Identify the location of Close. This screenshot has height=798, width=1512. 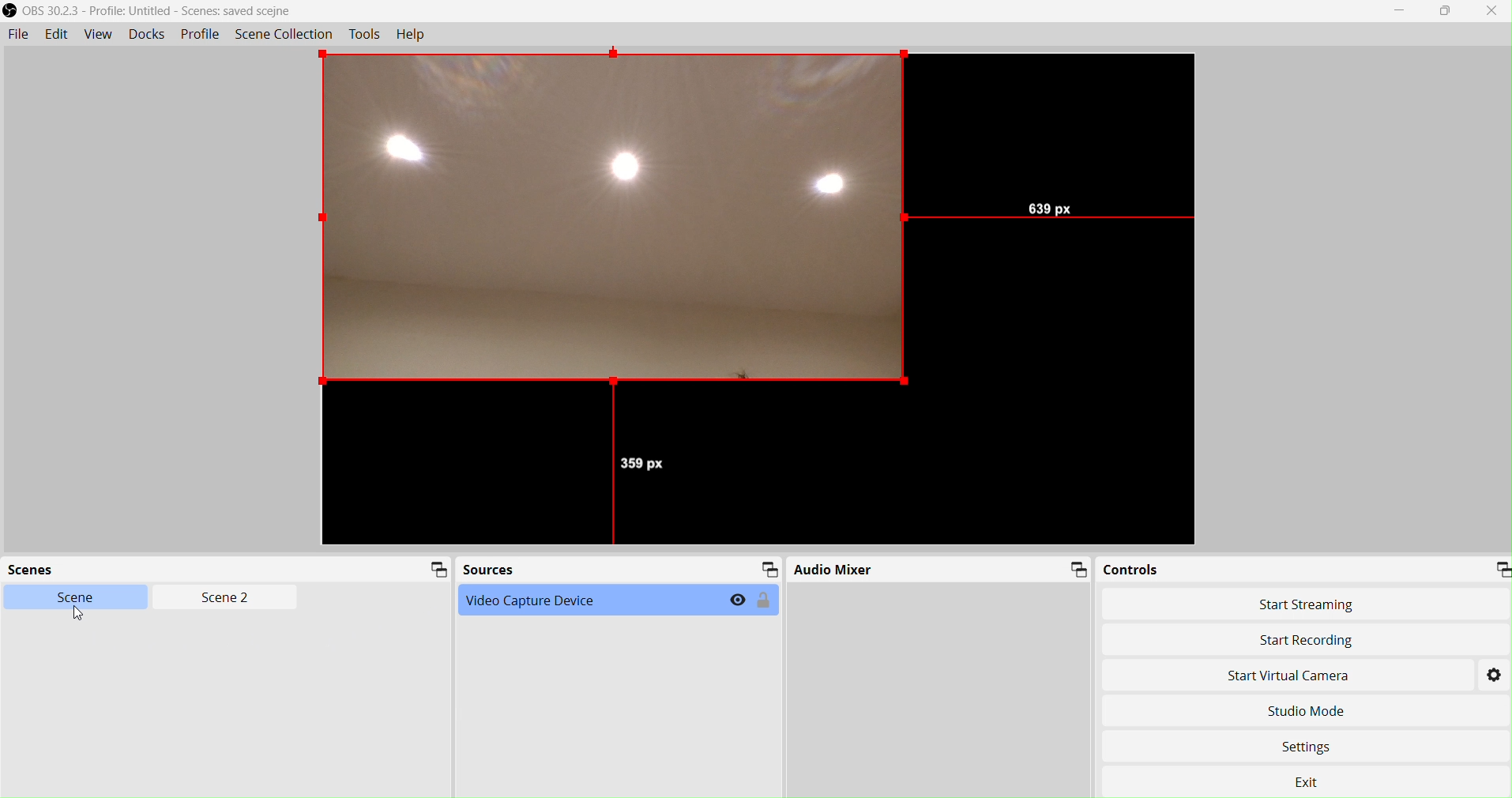
(1491, 10).